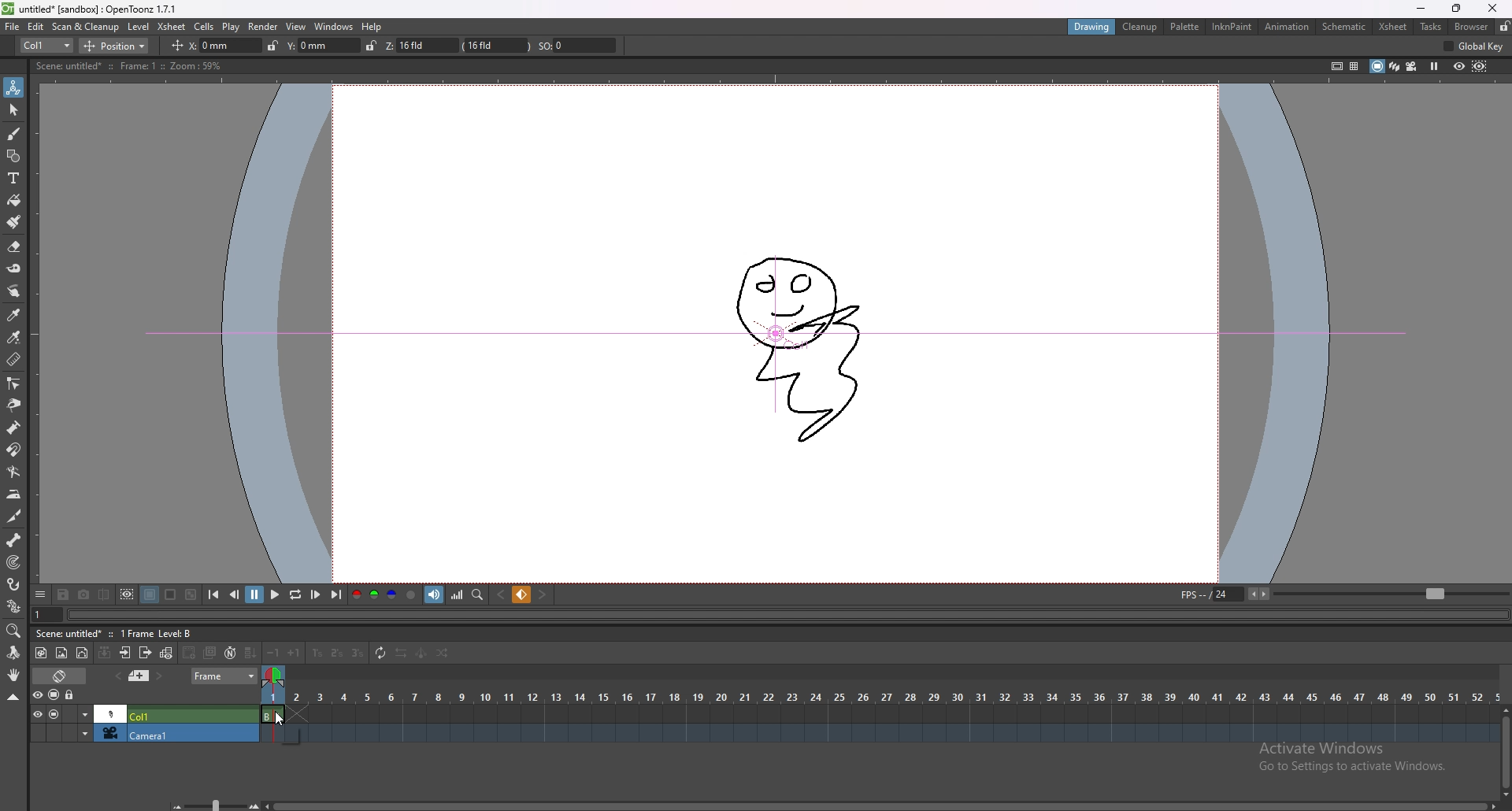  Describe the element at coordinates (274, 654) in the screenshot. I see `decrease step` at that location.